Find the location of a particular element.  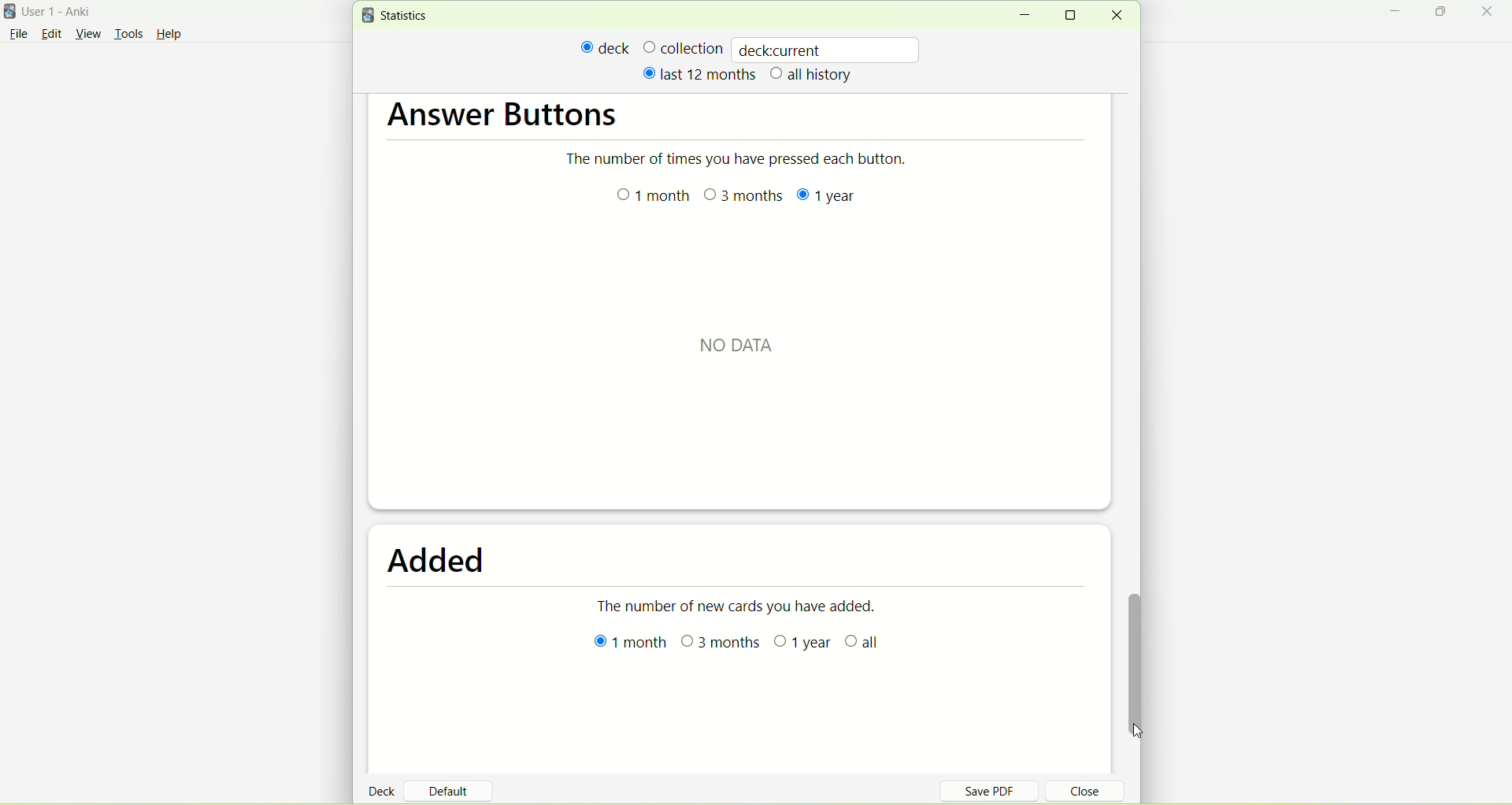

default is located at coordinates (454, 785).